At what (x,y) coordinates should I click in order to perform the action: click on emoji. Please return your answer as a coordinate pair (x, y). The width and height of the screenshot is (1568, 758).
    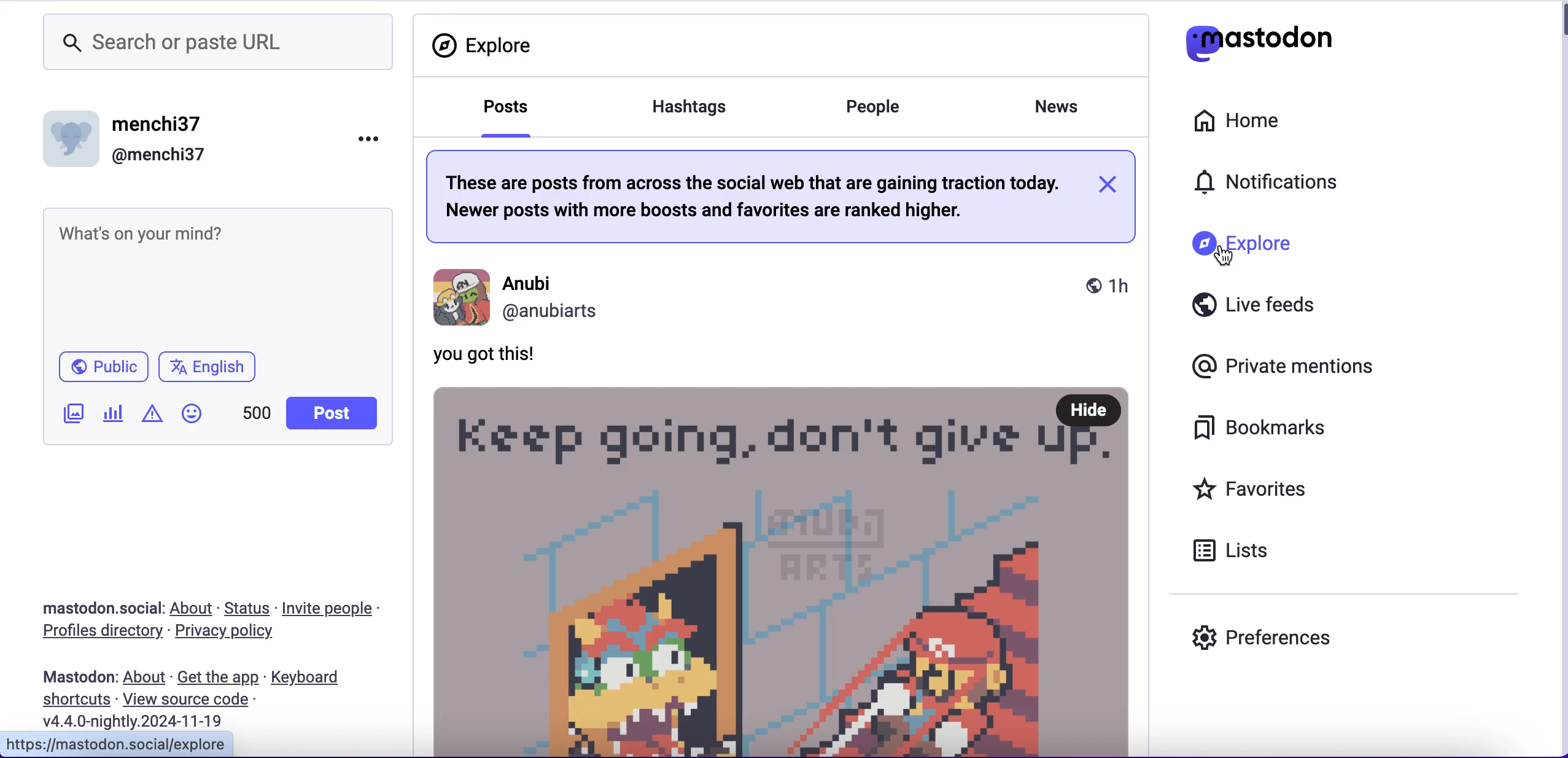
    Looking at the image, I should click on (196, 414).